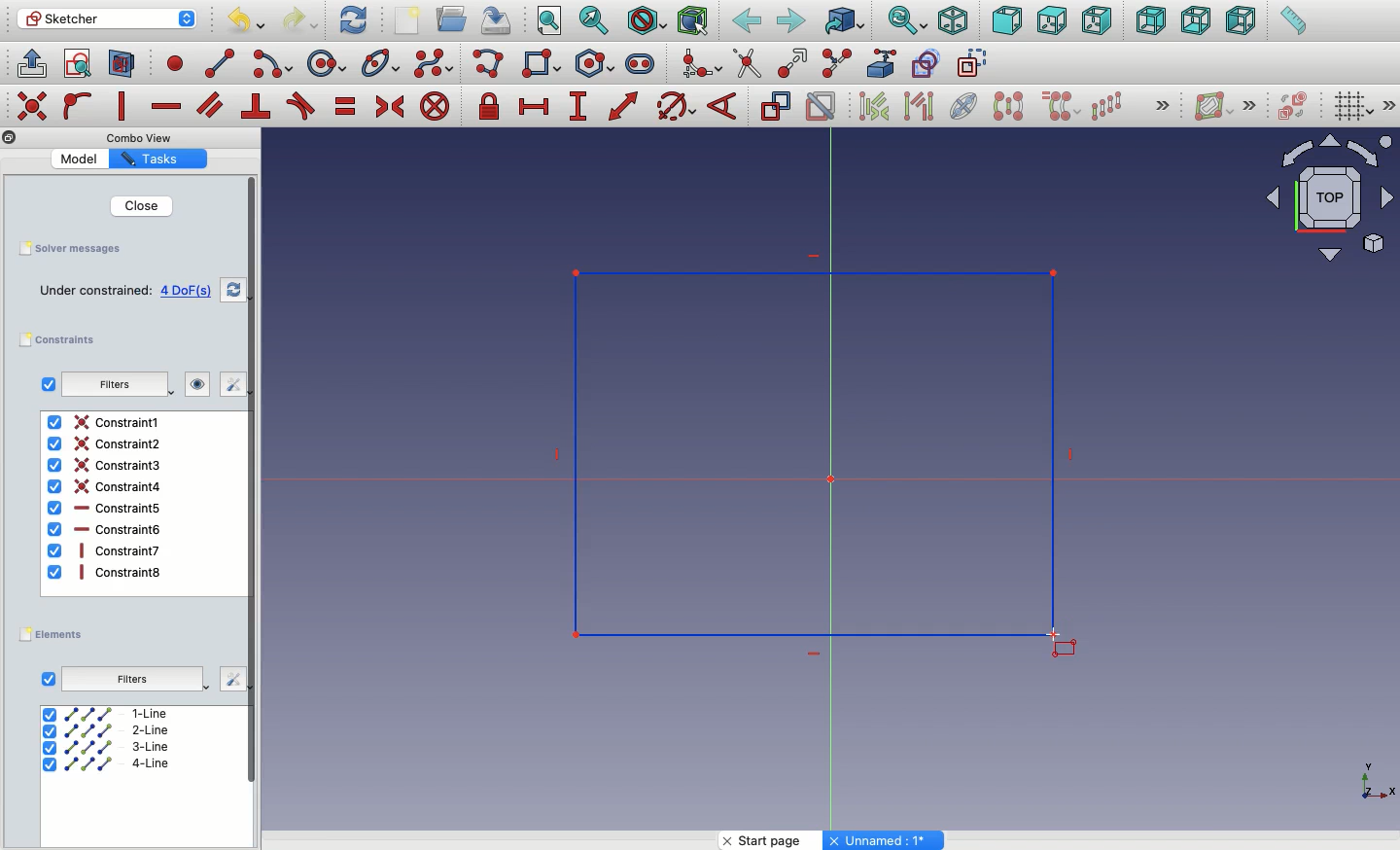 The height and width of the screenshot is (850, 1400). I want to click on constrain point onto object, so click(78, 105).